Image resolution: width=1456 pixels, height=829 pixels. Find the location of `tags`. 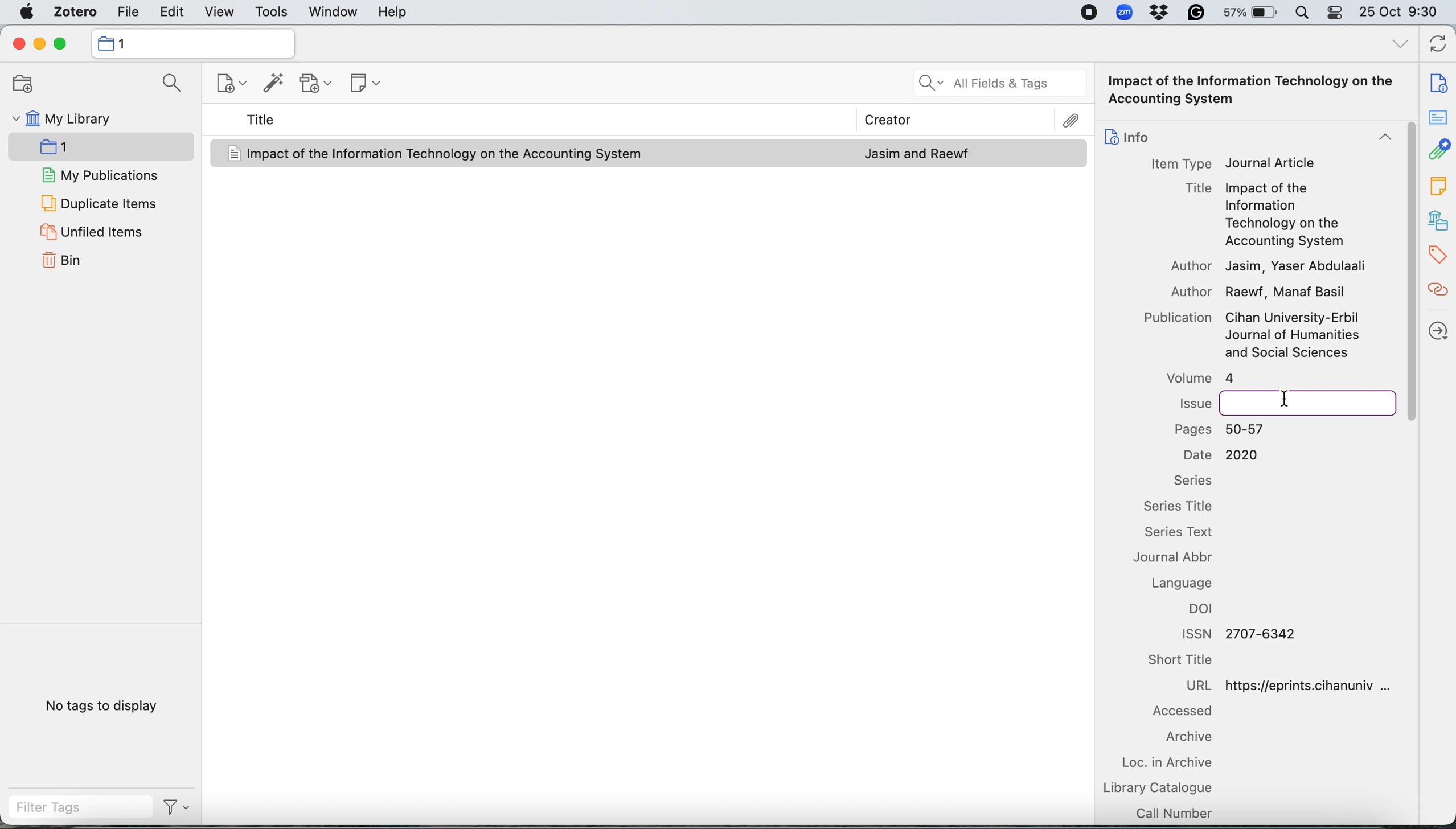

tags is located at coordinates (1437, 255).